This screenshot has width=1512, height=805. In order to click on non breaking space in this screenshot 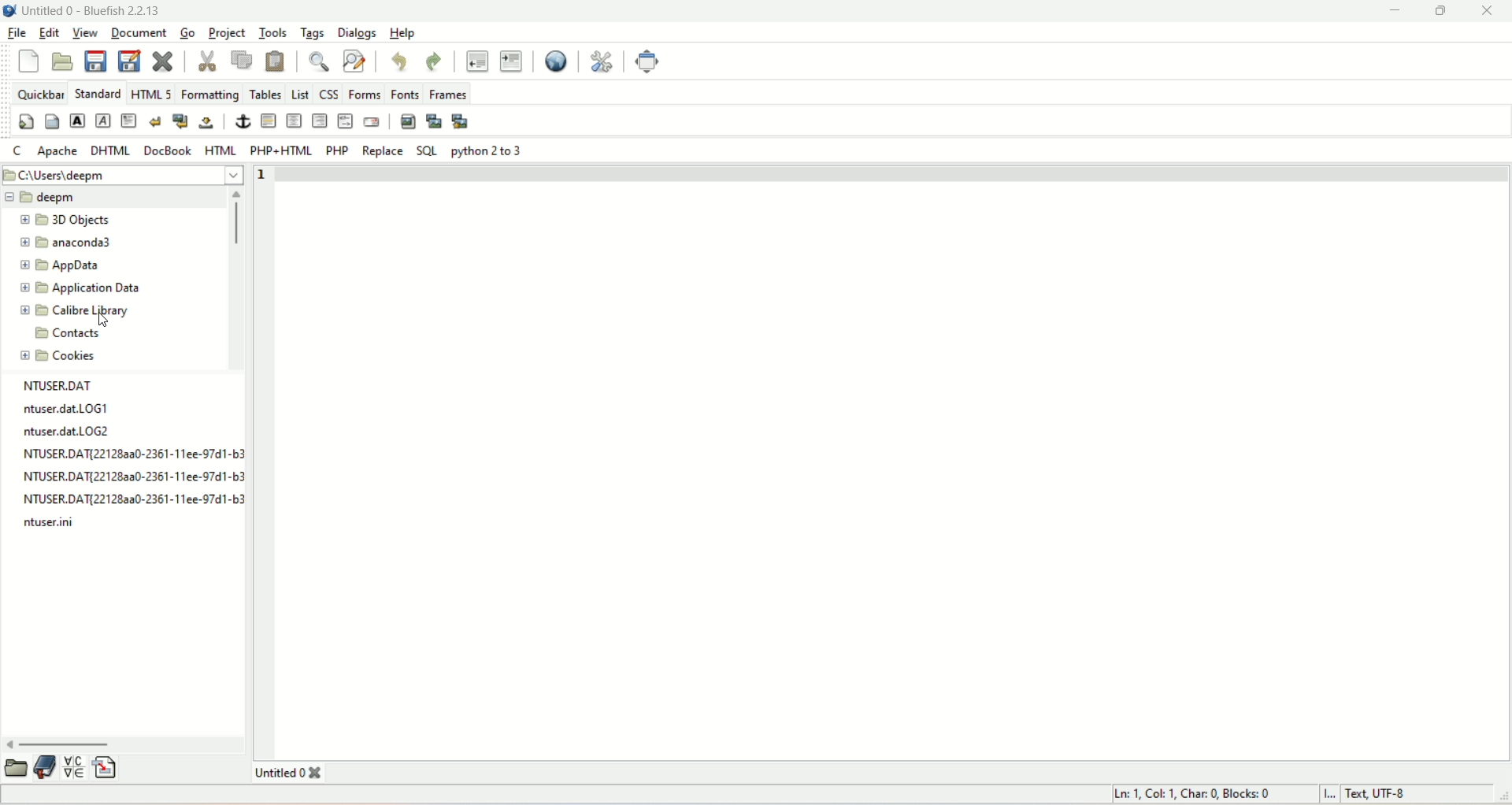, I will do `click(207, 124)`.